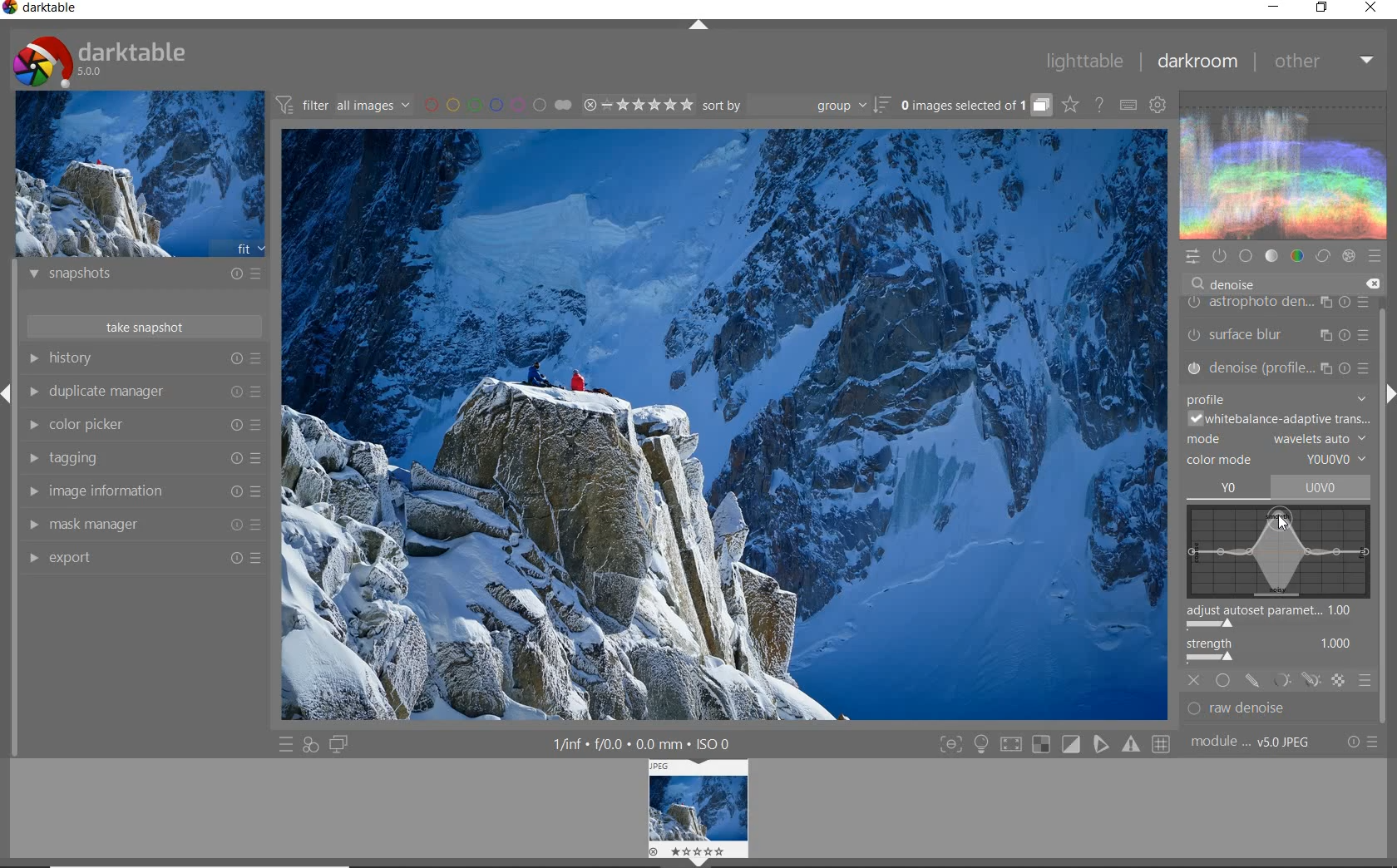 The width and height of the screenshot is (1397, 868). What do you see at coordinates (1101, 106) in the screenshot?
I see `enable online help` at bounding box center [1101, 106].